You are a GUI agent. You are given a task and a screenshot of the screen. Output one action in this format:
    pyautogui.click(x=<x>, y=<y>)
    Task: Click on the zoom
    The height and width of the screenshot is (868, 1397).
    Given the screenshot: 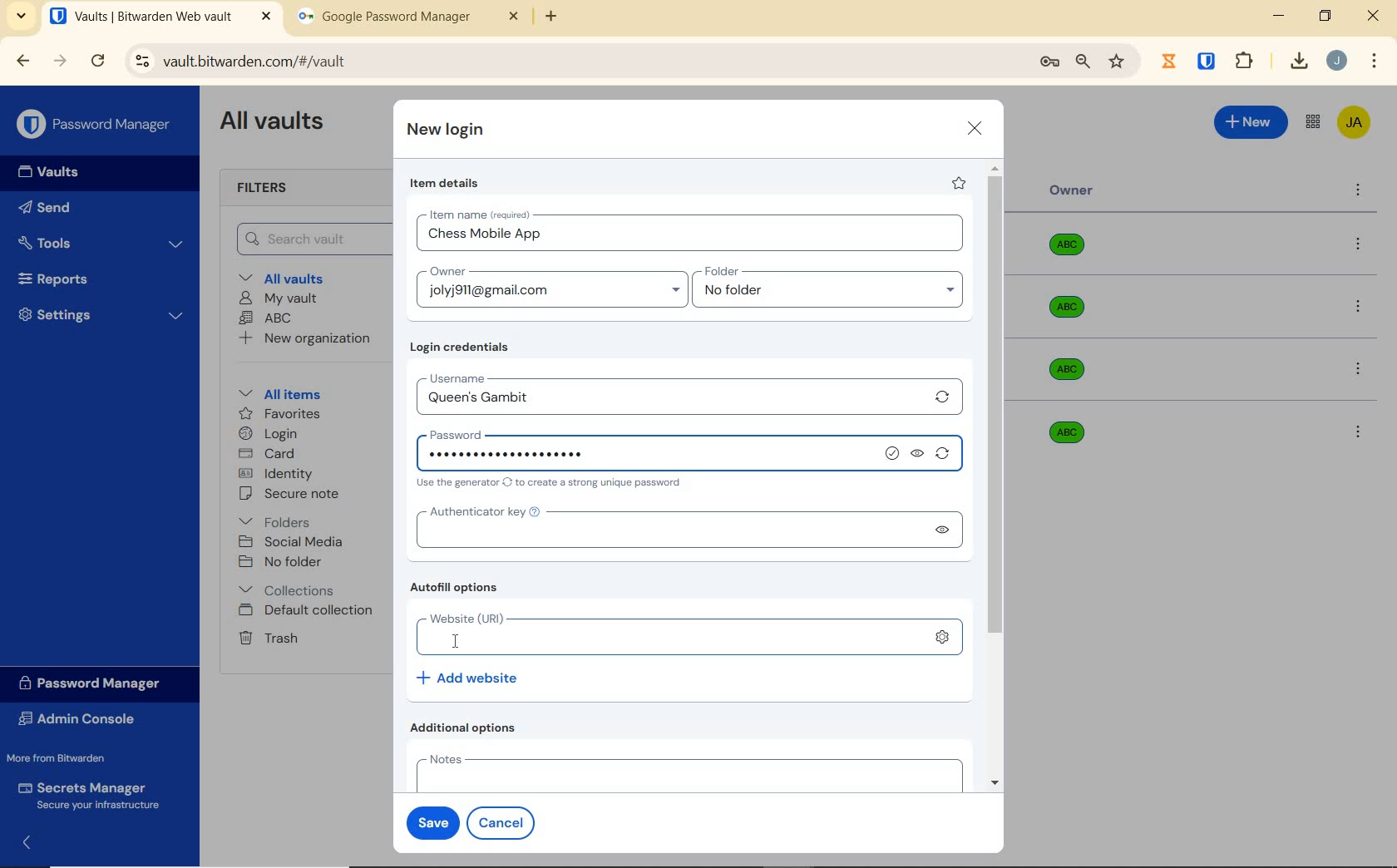 What is the action you would take?
    pyautogui.click(x=1082, y=62)
    